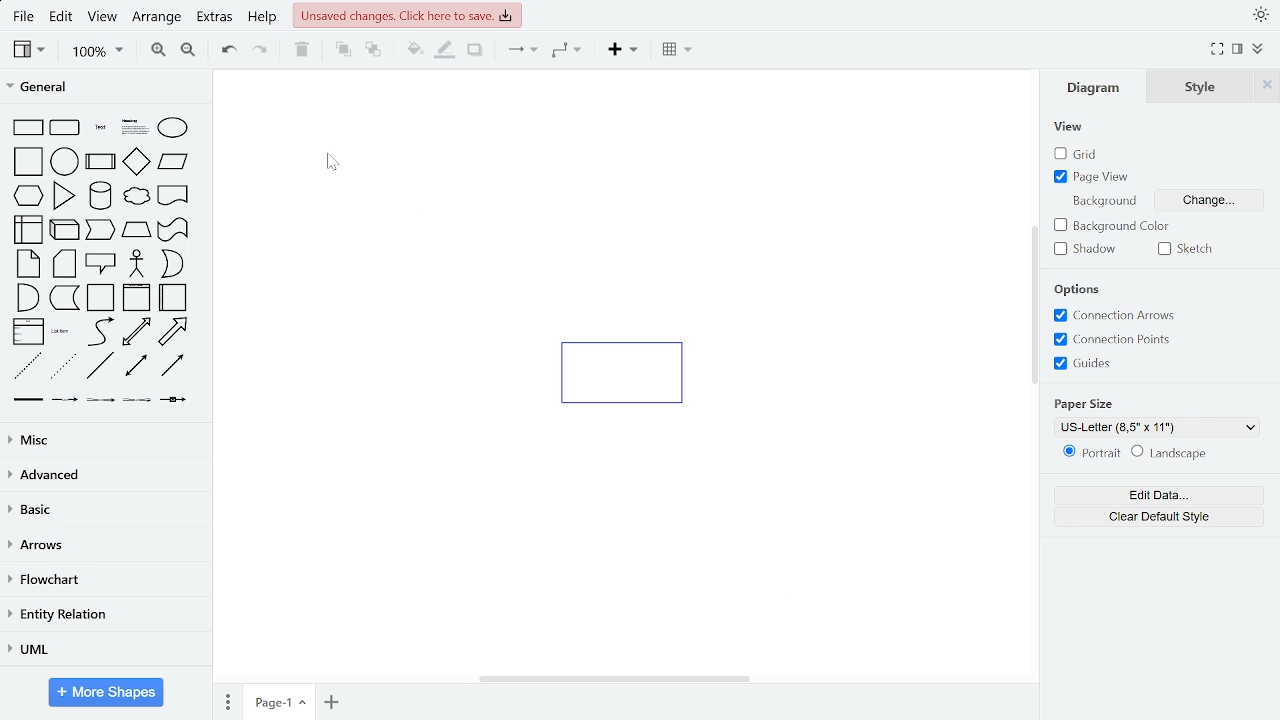 This screenshot has width=1280, height=720. What do you see at coordinates (414, 51) in the screenshot?
I see `fill color` at bounding box center [414, 51].